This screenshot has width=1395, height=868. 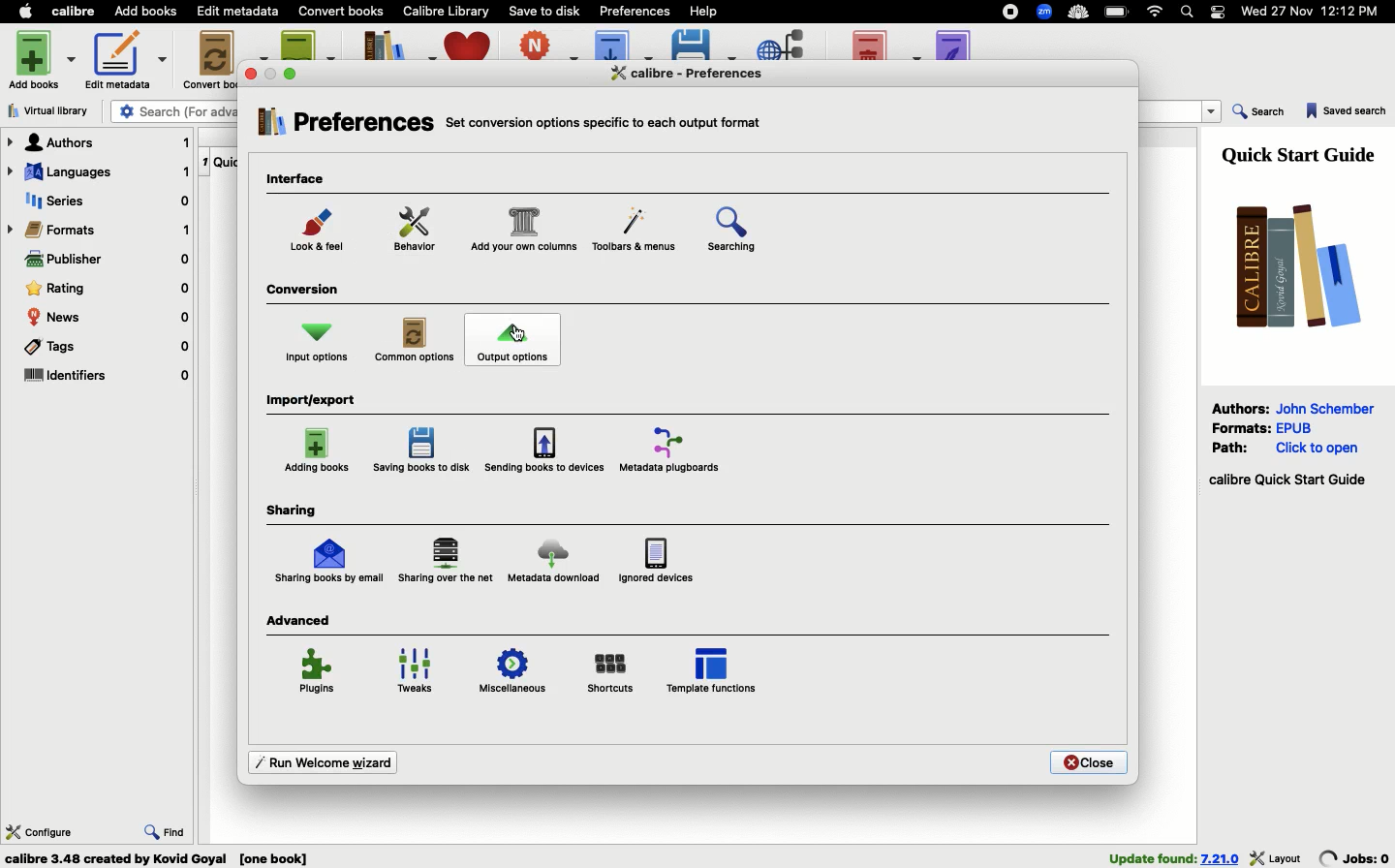 I want to click on Help, so click(x=702, y=10).